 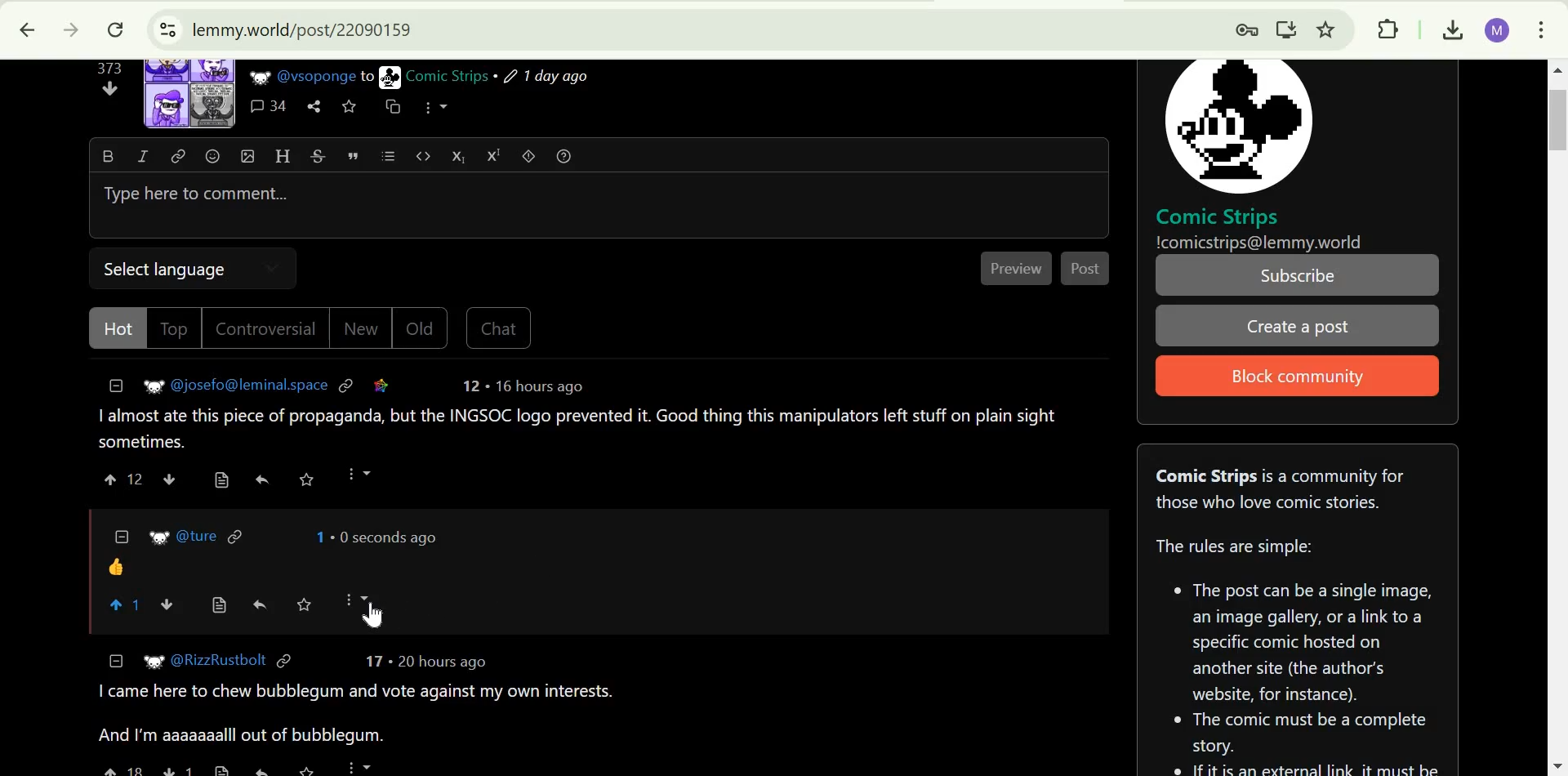 What do you see at coordinates (258, 77) in the screenshot?
I see `picture` at bounding box center [258, 77].